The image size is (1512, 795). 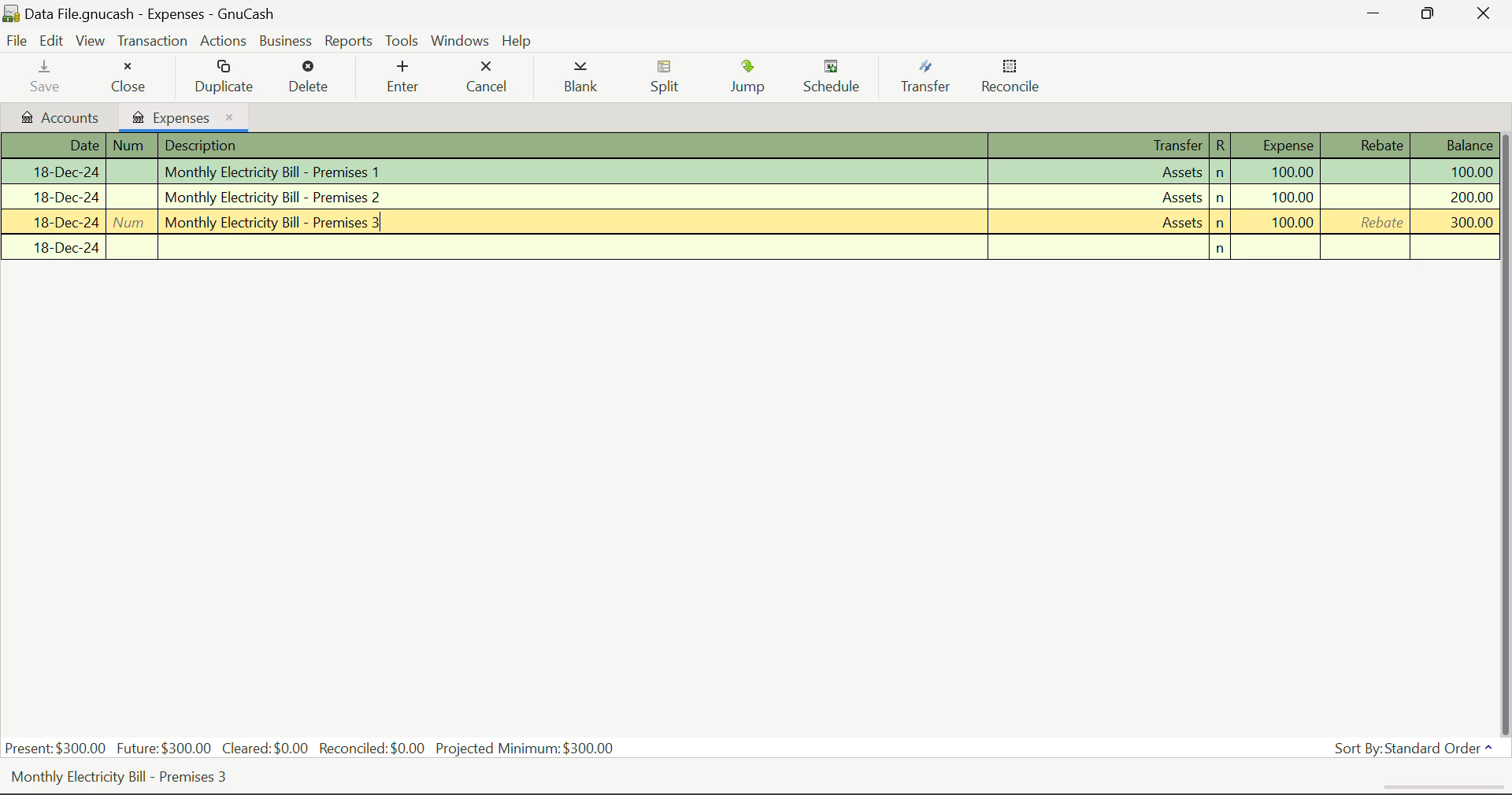 I want to click on Business, so click(x=287, y=42).